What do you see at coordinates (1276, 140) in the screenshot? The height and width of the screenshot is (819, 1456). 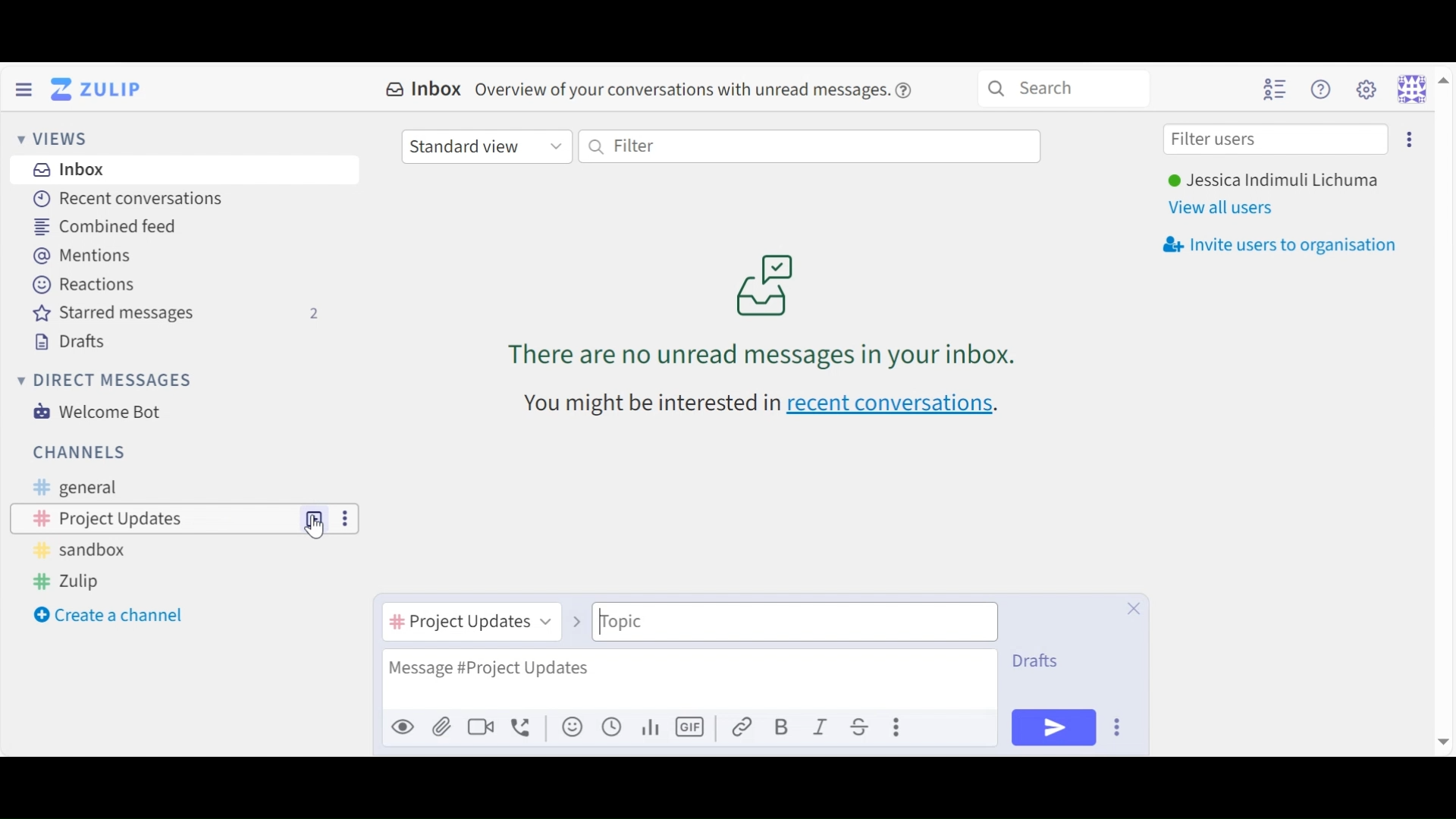 I see `Filter users` at bounding box center [1276, 140].